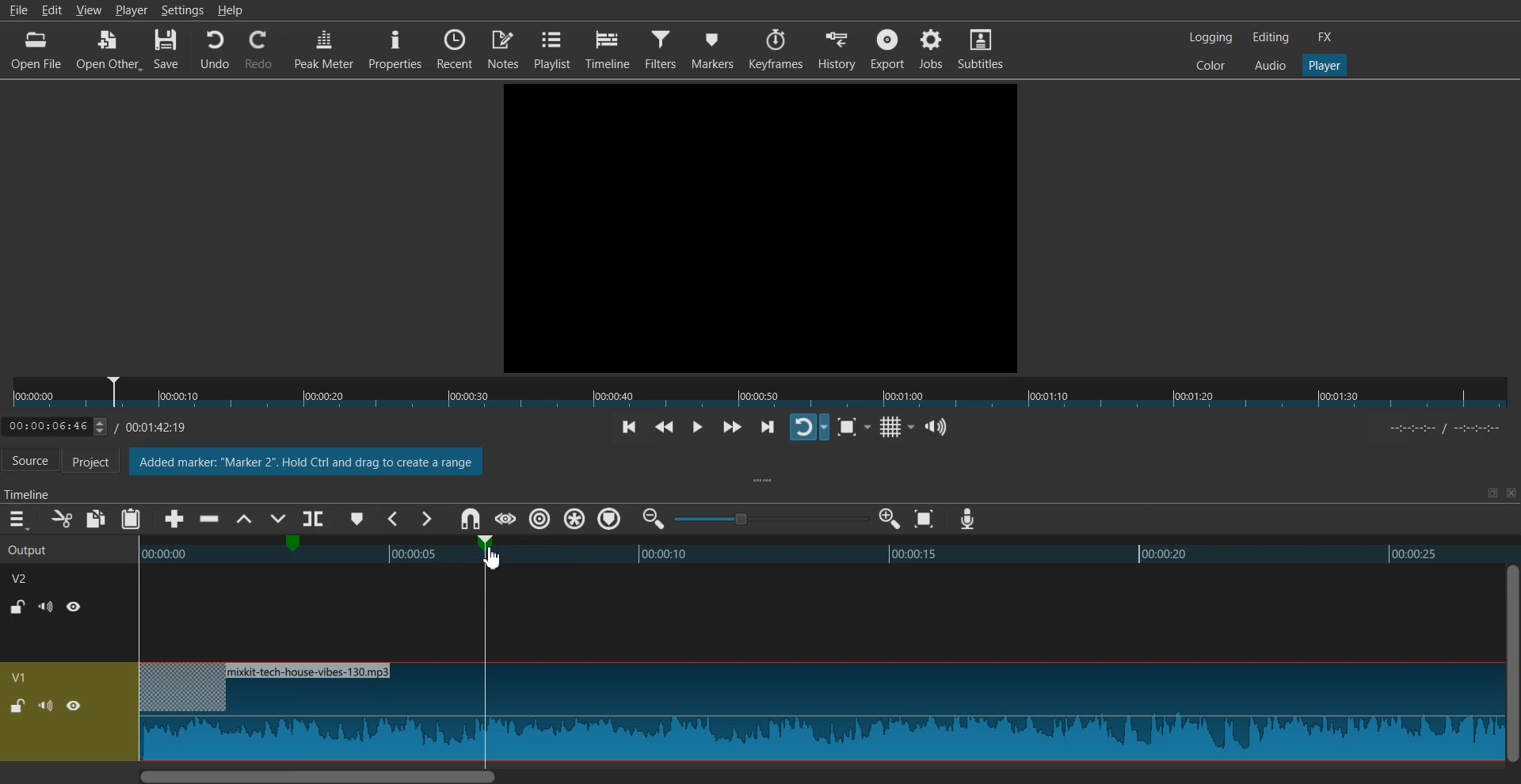  Describe the element at coordinates (210, 519) in the screenshot. I see `Ripple delete` at that location.